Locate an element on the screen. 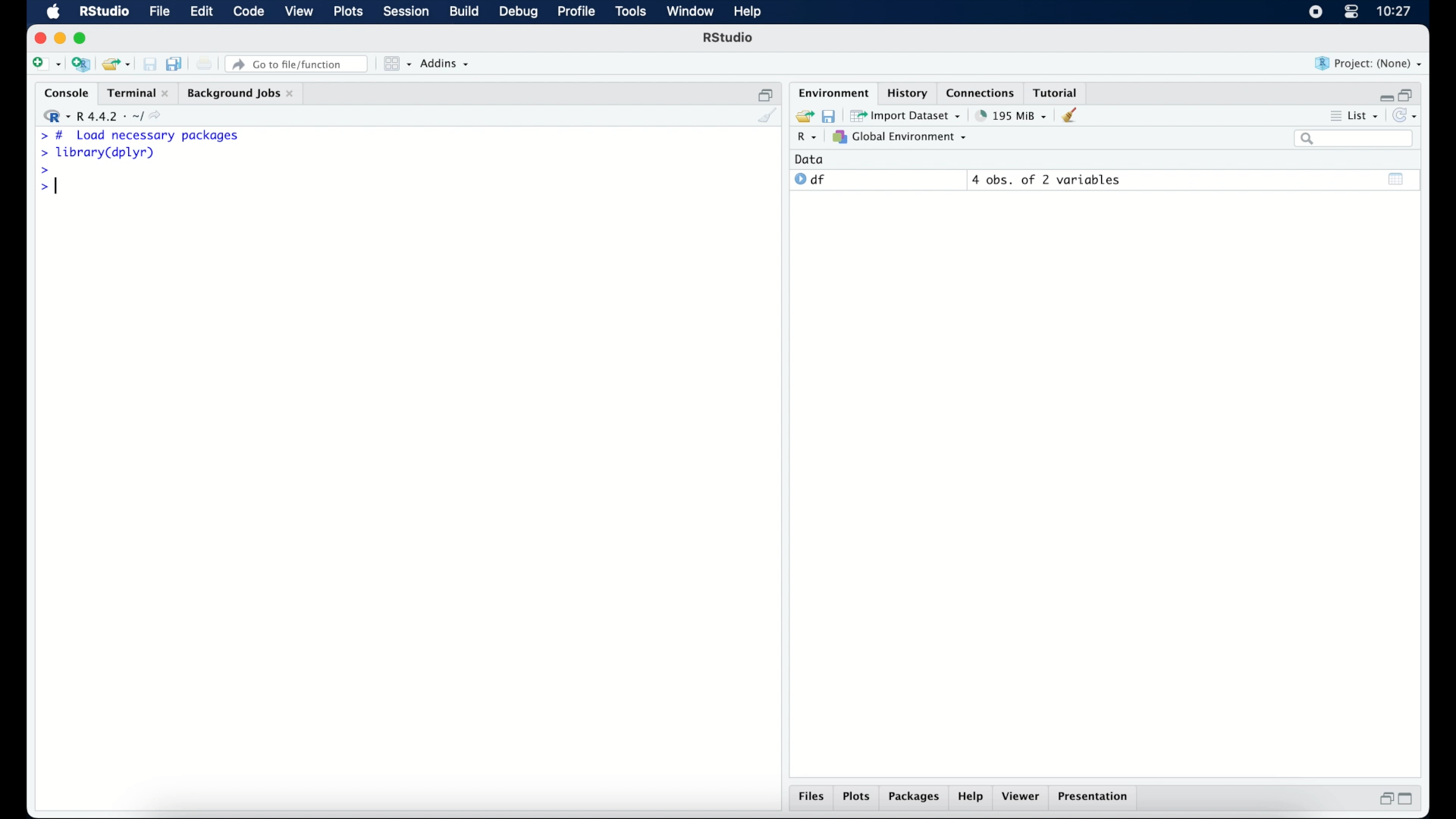 The image size is (1456, 819). connections is located at coordinates (982, 92).